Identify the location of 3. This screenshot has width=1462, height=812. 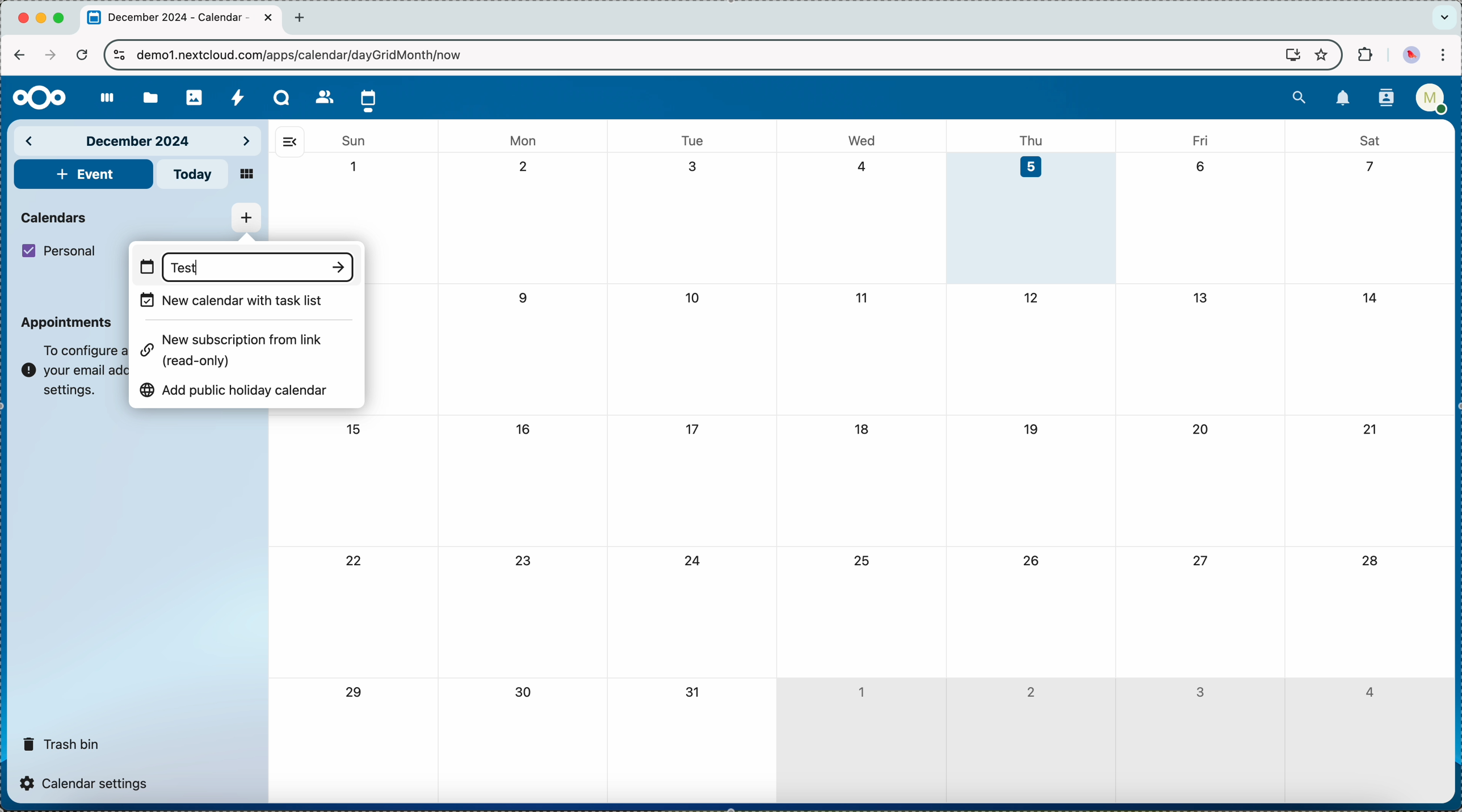
(1200, 693).